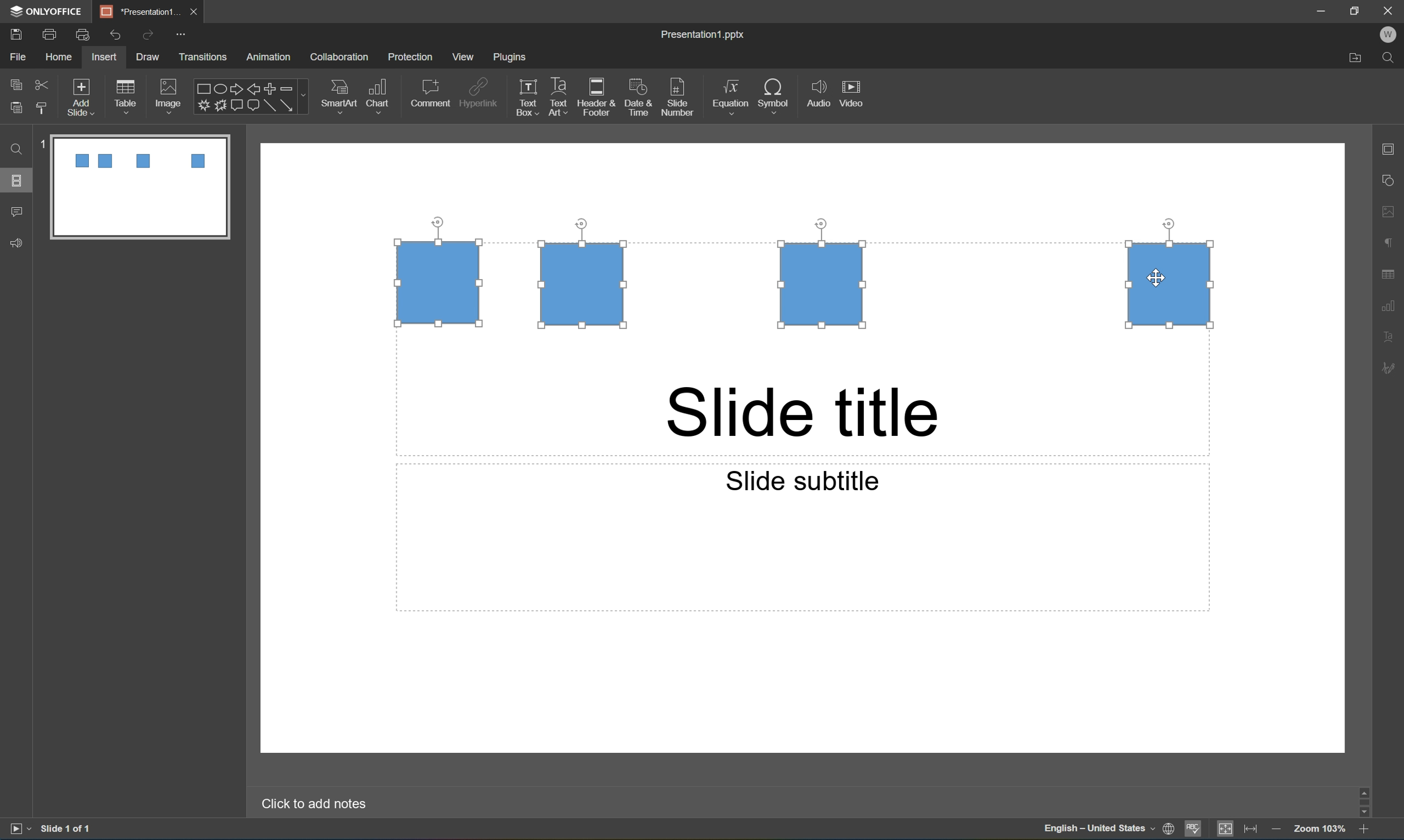 This screenshot has height=840, width=1404. I want to click on table settings, so click(1389, 272).